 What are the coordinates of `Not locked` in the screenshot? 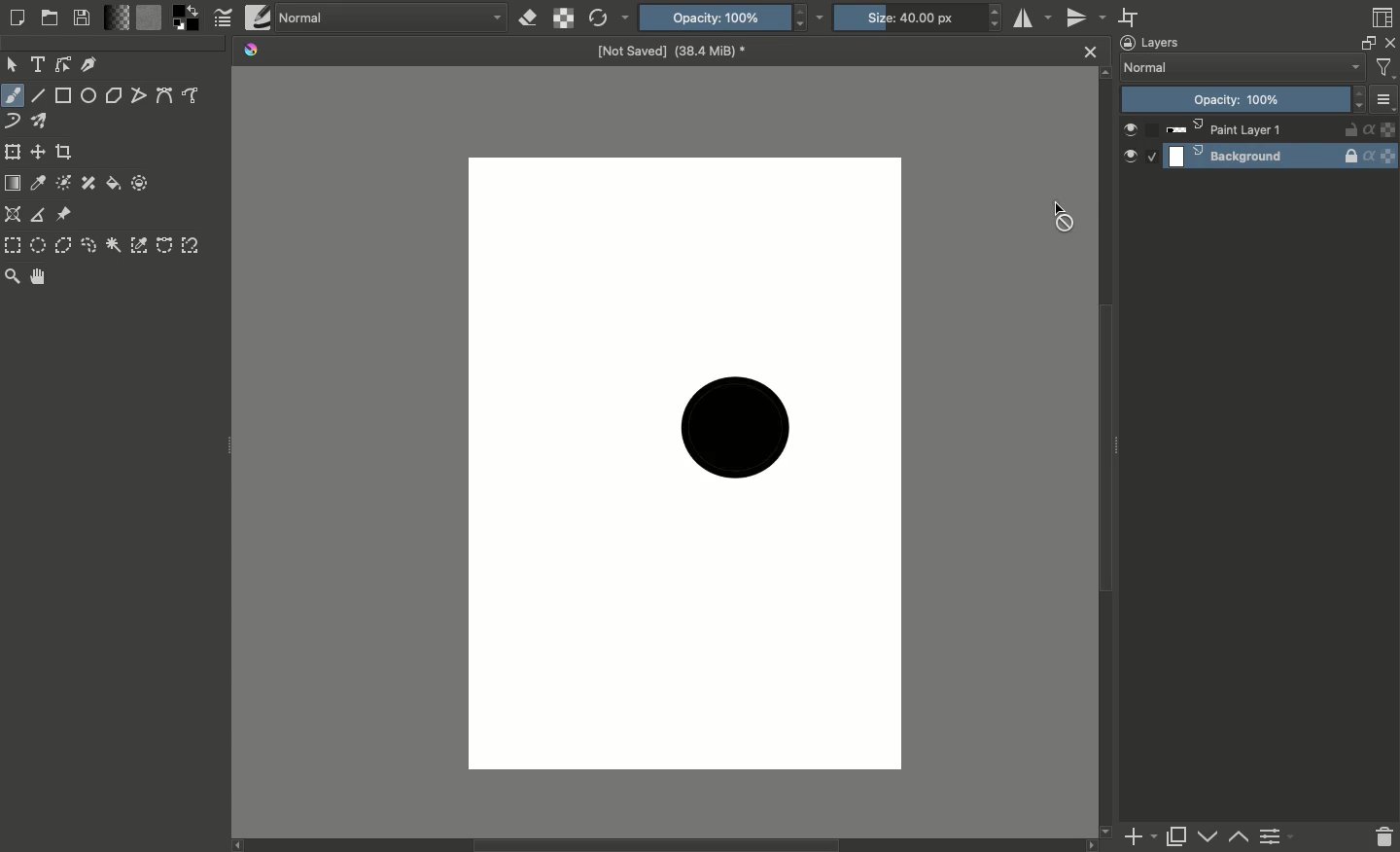 It's located at (1351, 129).